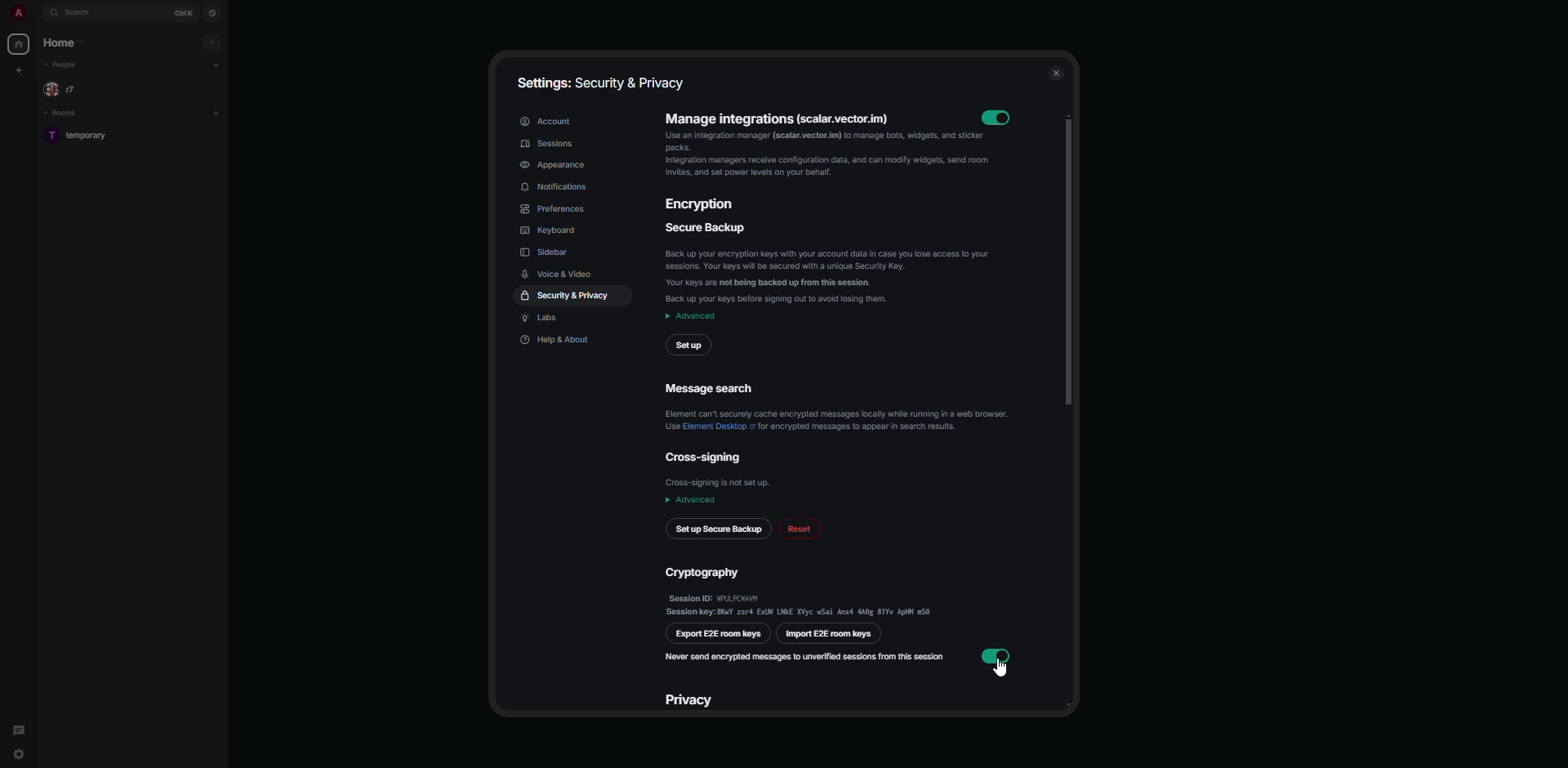  Describe the element at coordinates (801, 527) in the screenshot. I see `reset` at that location.